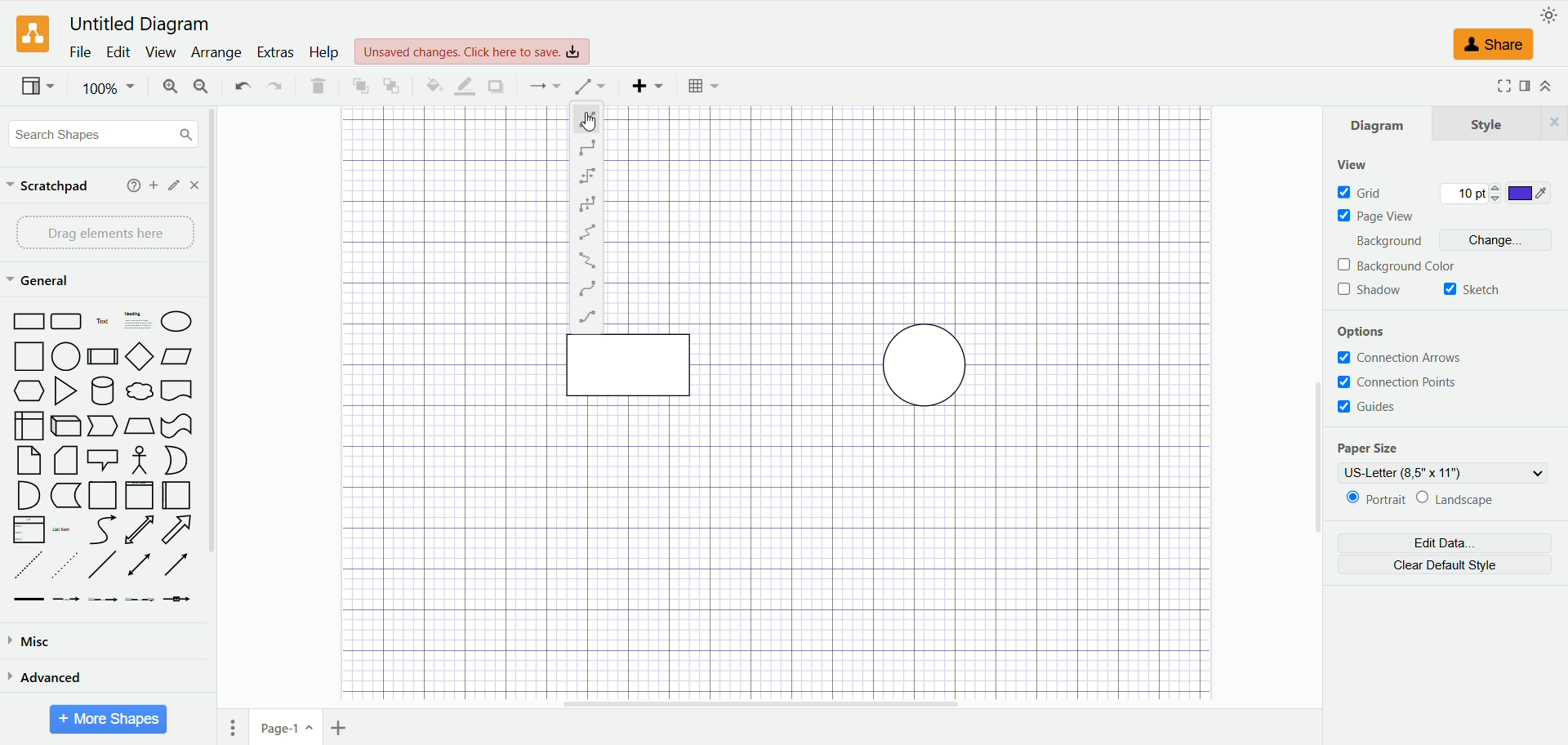 The height and width of the screenshot is (745, 1568). I want to click on sketch, so click(1472, 289).